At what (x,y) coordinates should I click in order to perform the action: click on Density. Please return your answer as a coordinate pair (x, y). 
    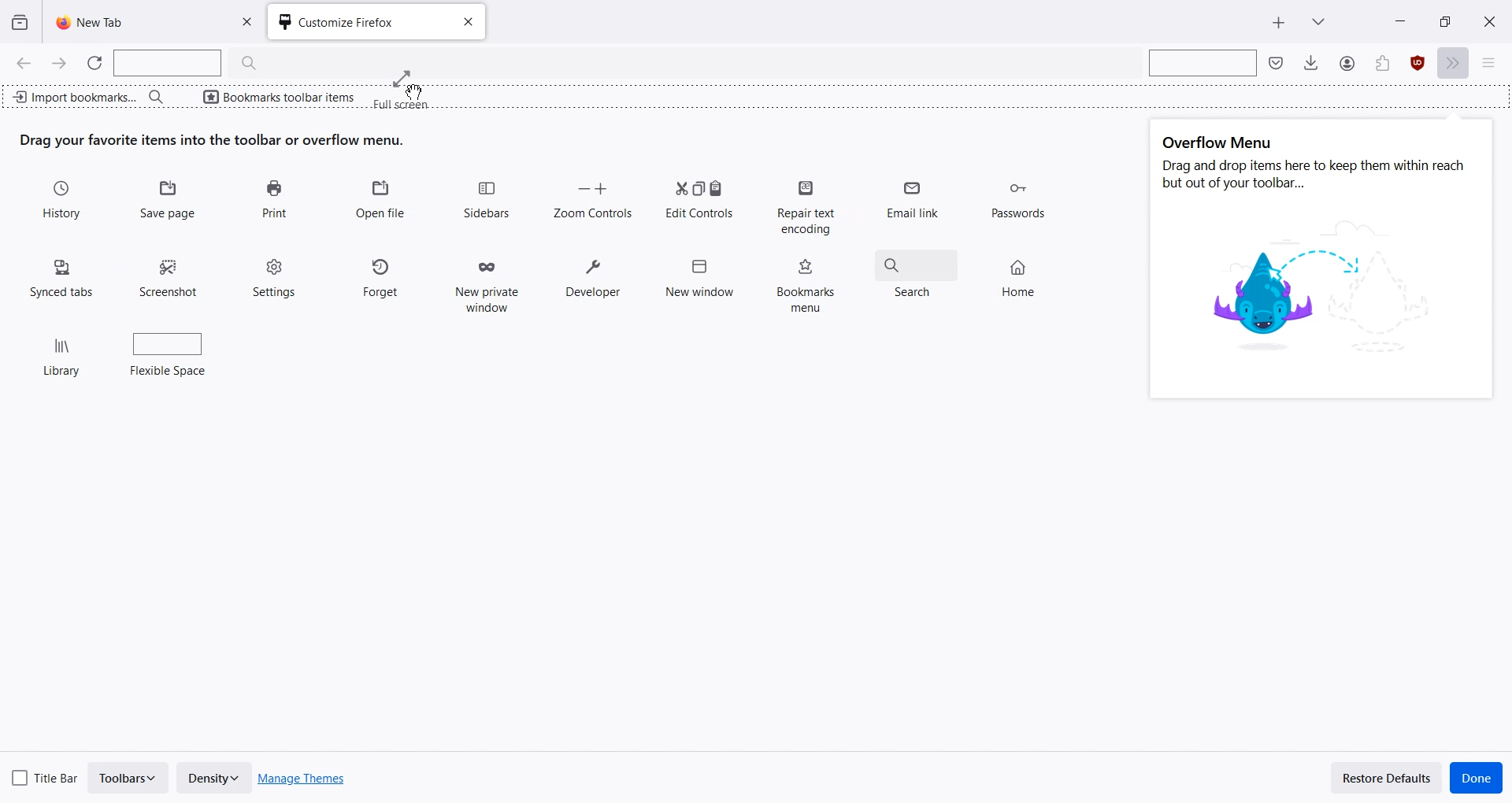
    Looking at the image, I should click on (213, 778).